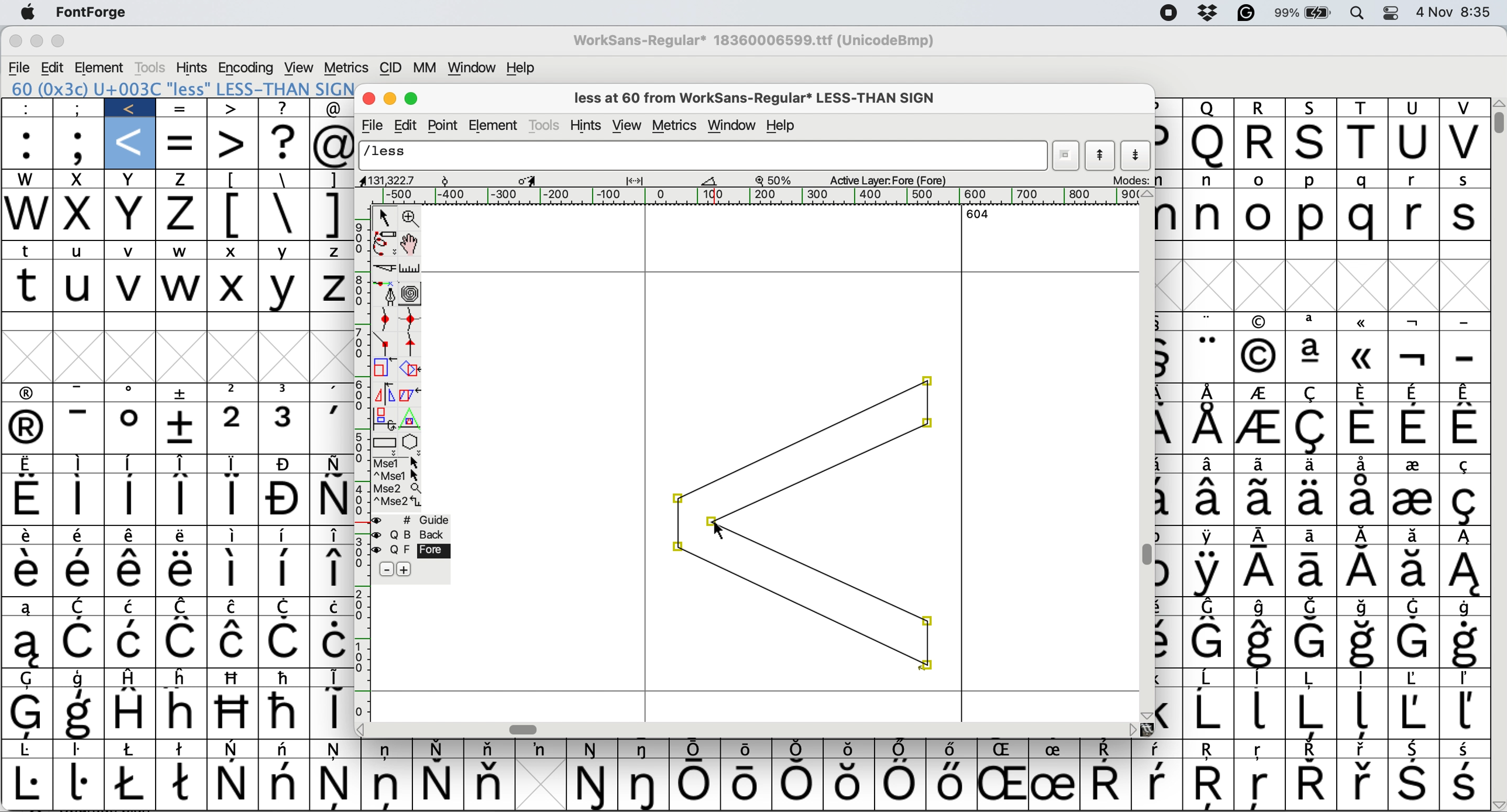 Image resolution: width=1507 pixels, height=812 pixels. I want to click on Symbol, so click(1467, 464).